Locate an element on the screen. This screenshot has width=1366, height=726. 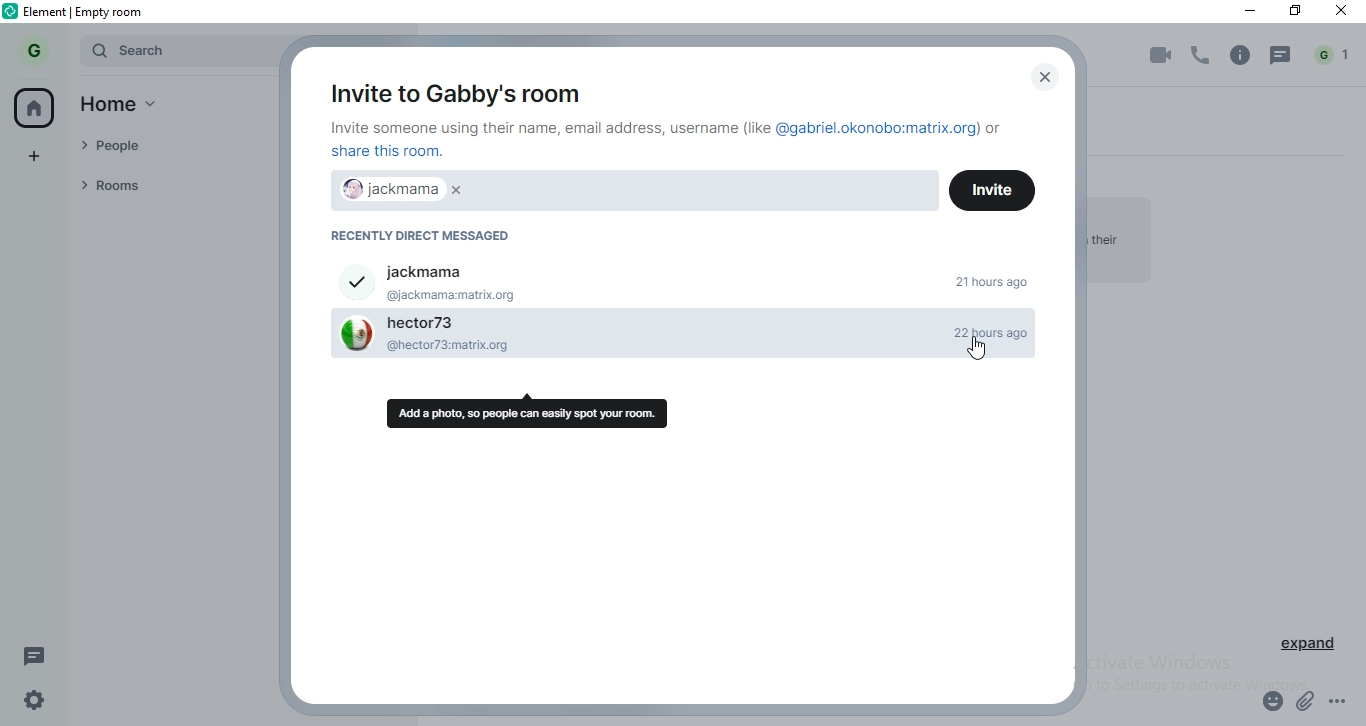
cursor is located at coordinates (979, 352).